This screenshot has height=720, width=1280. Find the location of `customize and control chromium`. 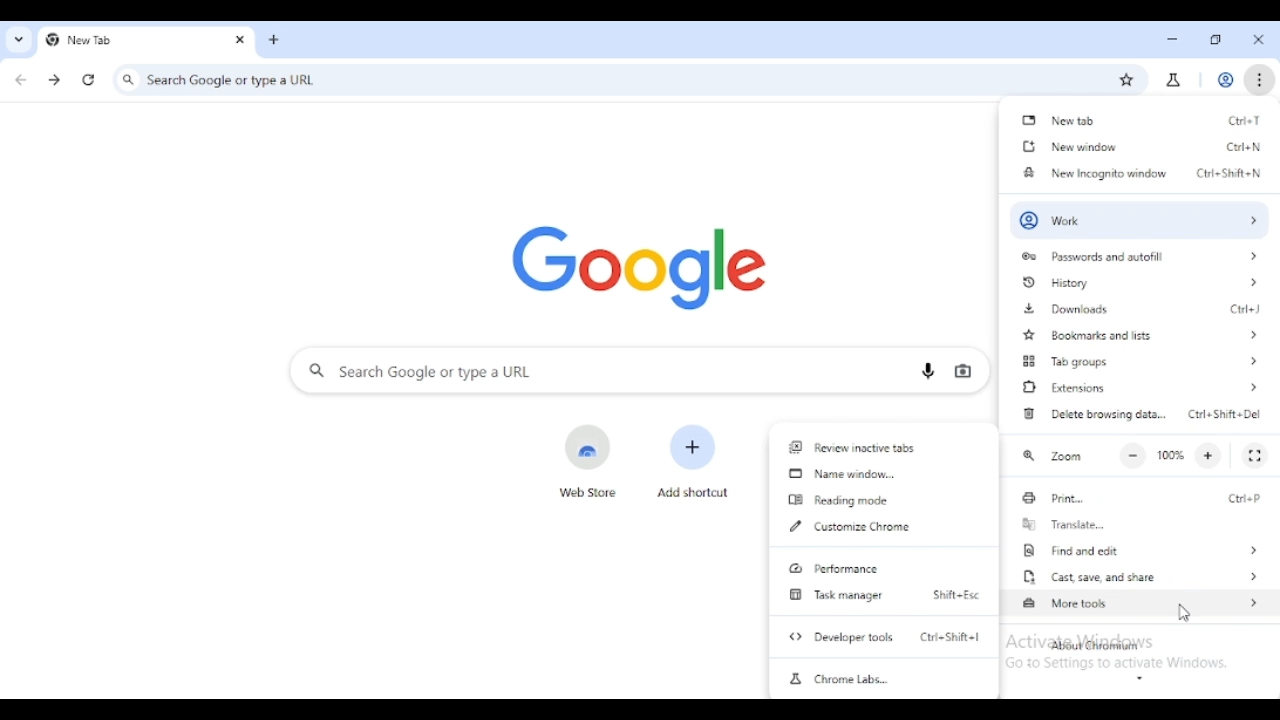

customize and control chromium is located at coordinates (1261, 79).